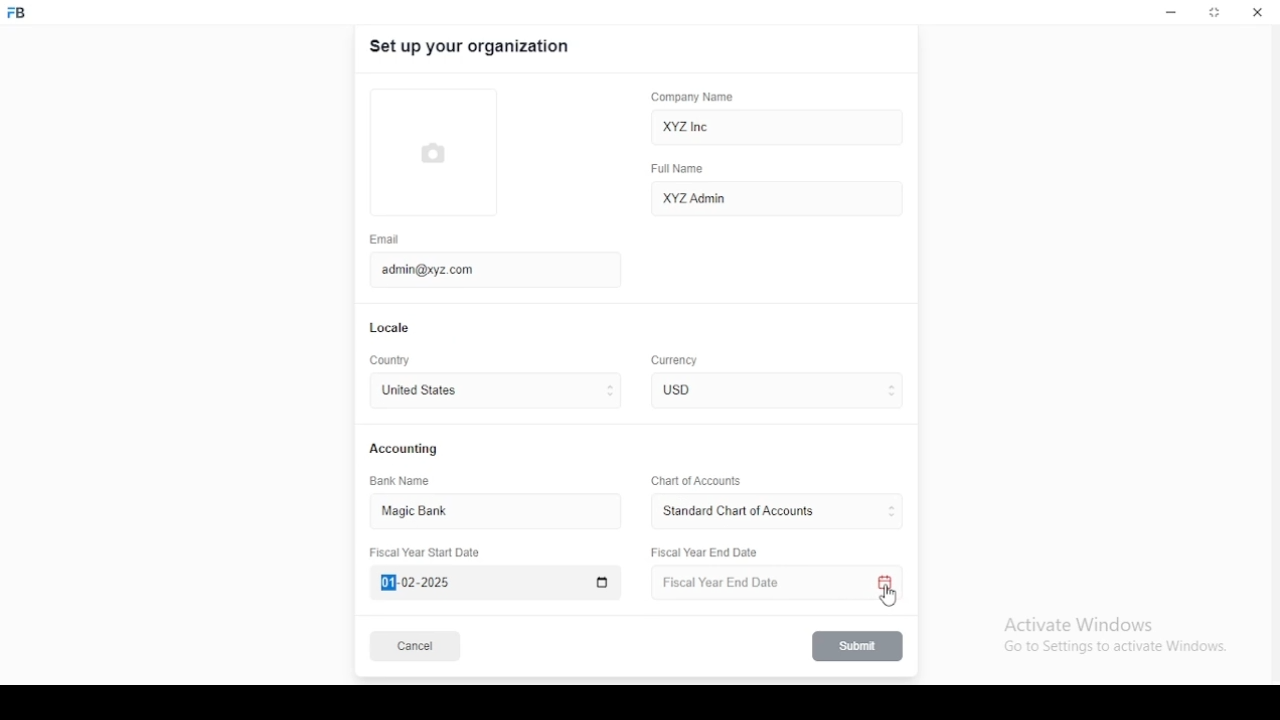  I want to click on Chart of Accounts, so click(693, 480).